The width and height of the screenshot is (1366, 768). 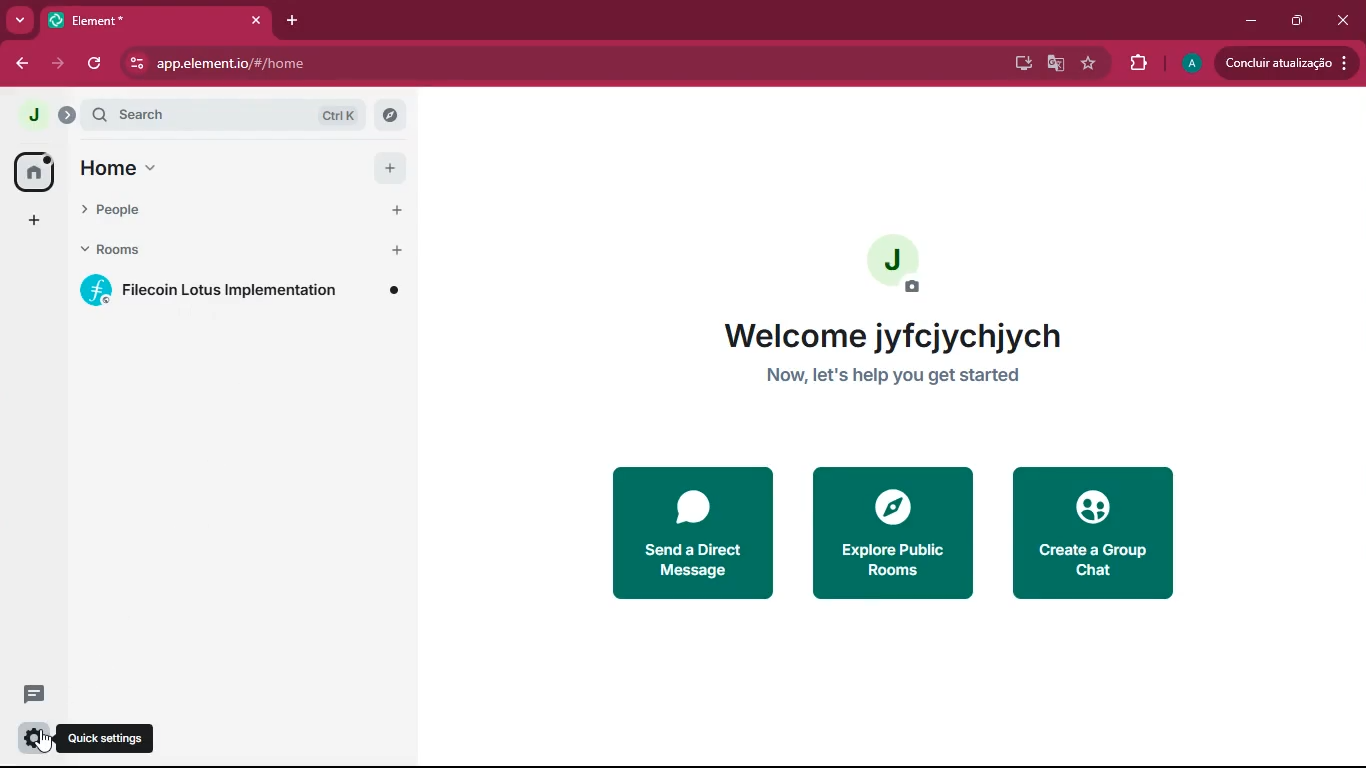 I want to click on Add, so click(x=391, y=168).